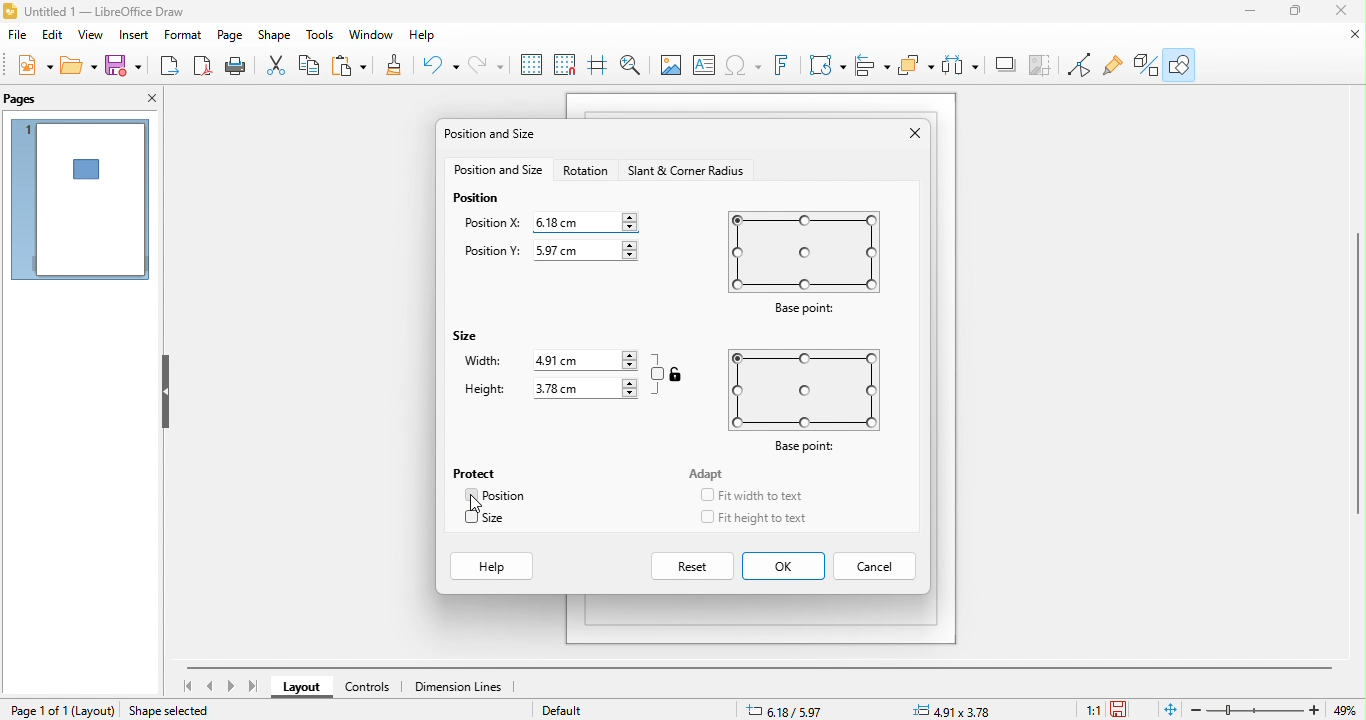 The height and width of the screenshot is (720, 1366). I want to click on page 1 of 1, so click(38, 710).